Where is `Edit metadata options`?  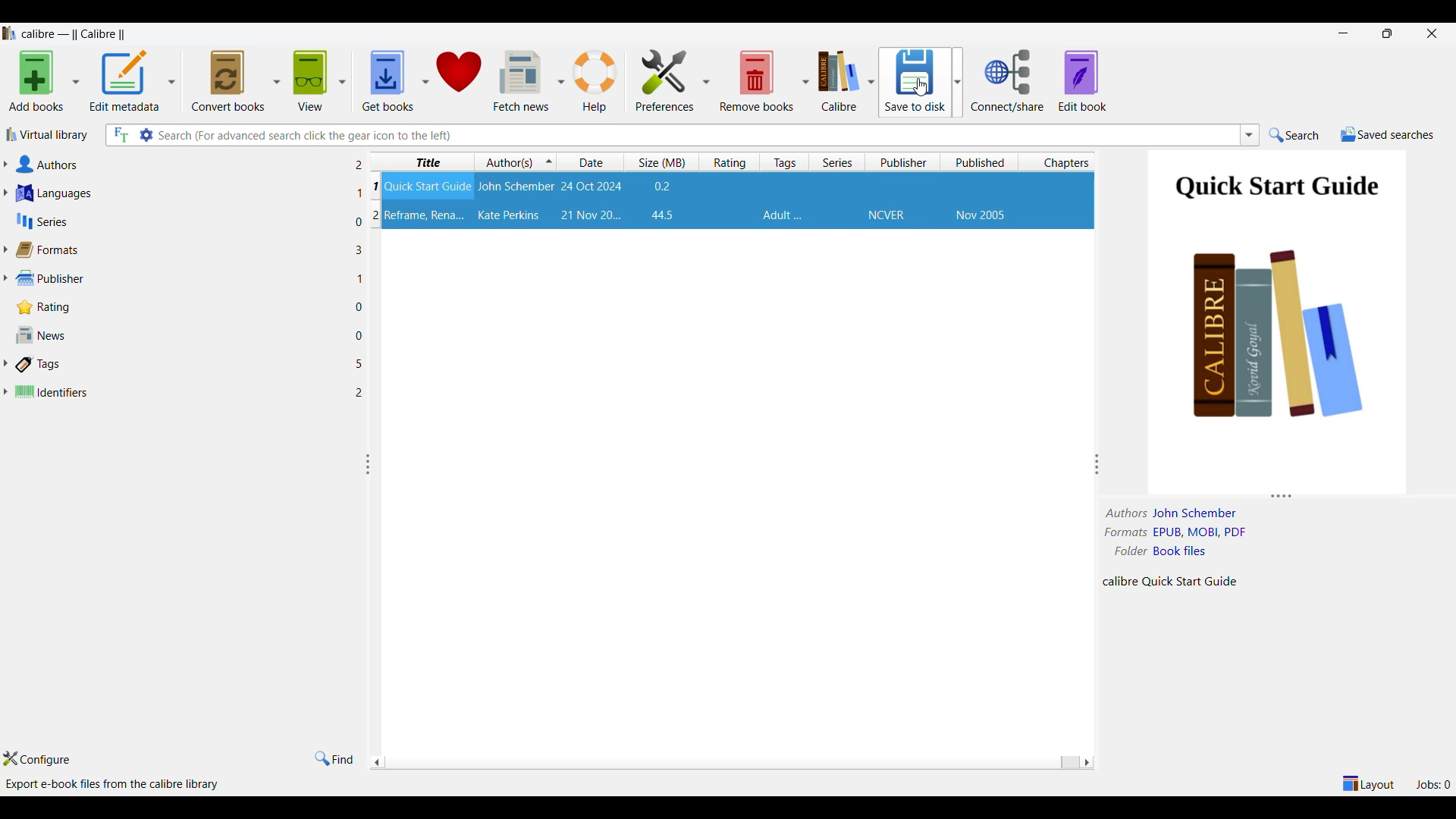
Edit metadata options is located at coordinates (132, 81).